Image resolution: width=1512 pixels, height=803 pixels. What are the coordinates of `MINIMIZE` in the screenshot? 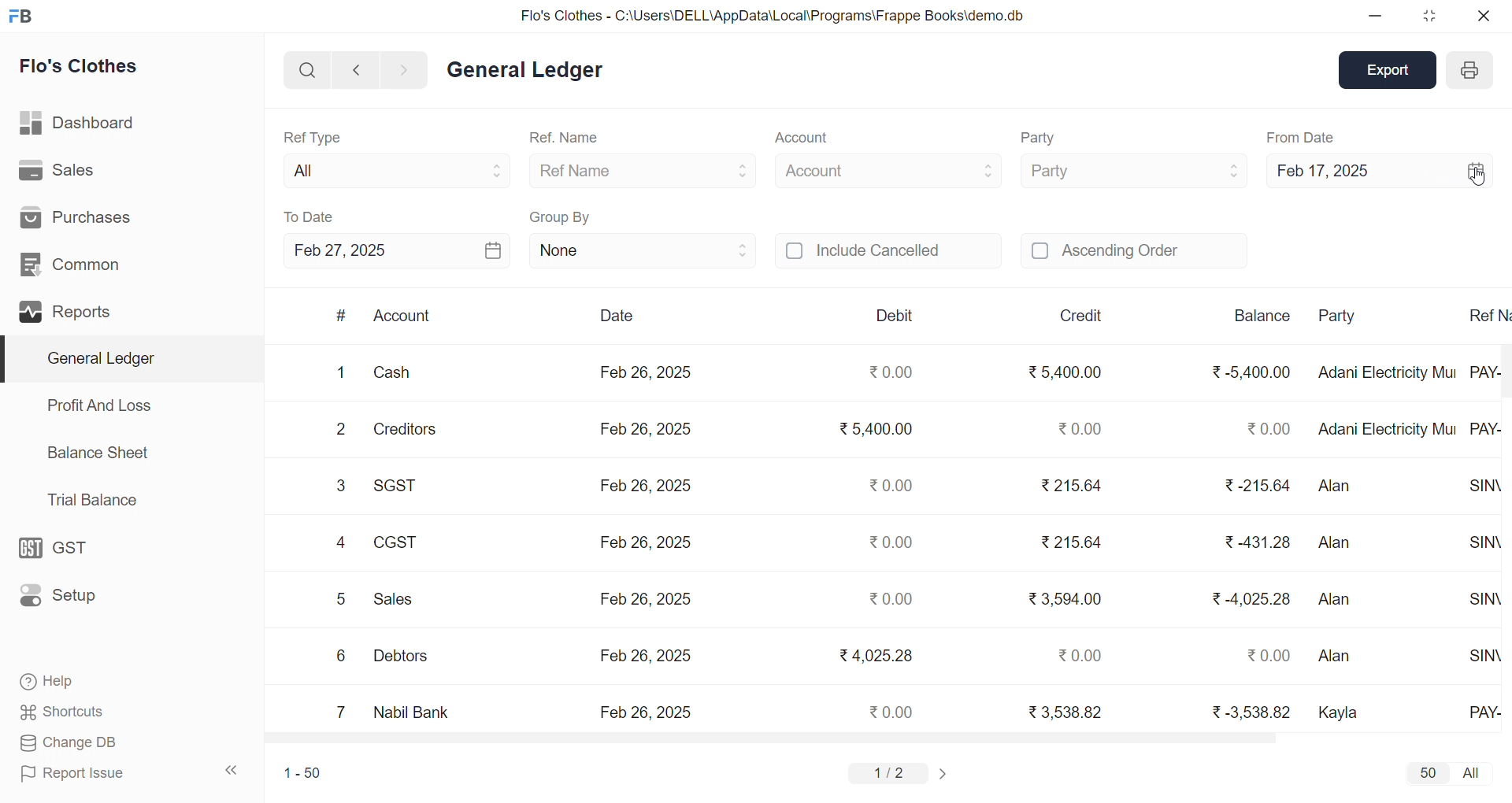 It's located at (1376, 17).